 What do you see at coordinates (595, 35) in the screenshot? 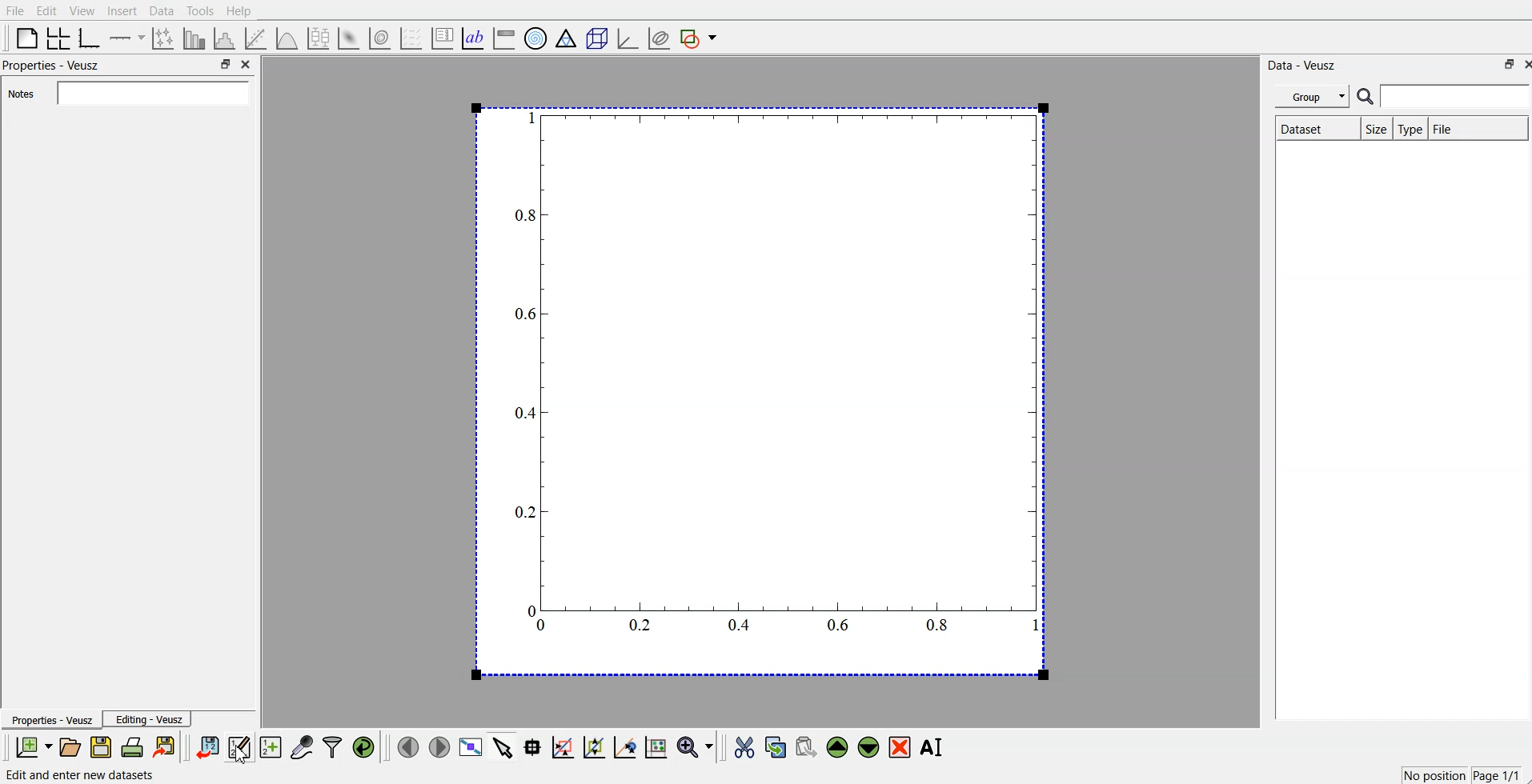
I see `3d scenes` at bounding box center [595, 35].